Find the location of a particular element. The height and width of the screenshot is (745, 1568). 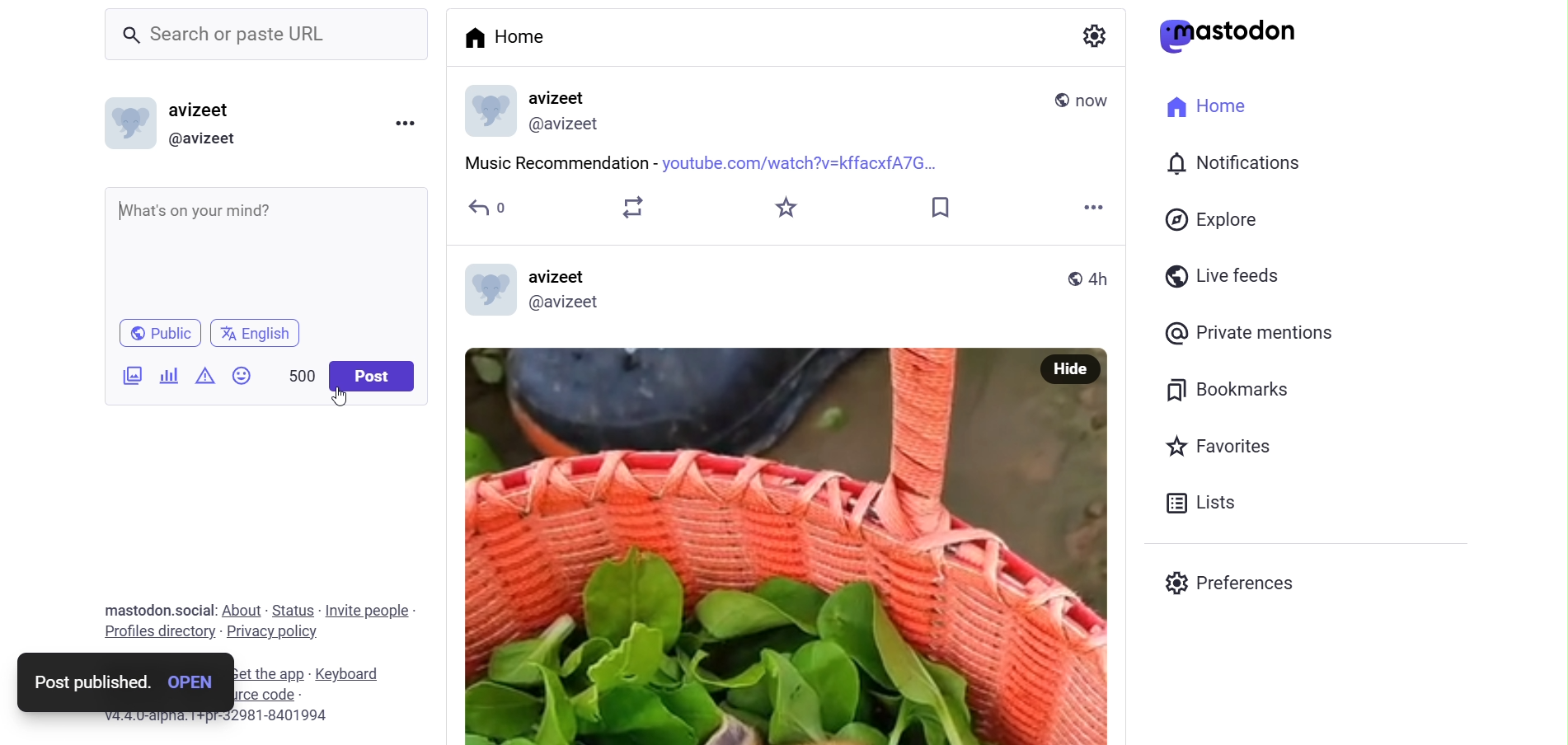

open is located at coordinates (192, 684).